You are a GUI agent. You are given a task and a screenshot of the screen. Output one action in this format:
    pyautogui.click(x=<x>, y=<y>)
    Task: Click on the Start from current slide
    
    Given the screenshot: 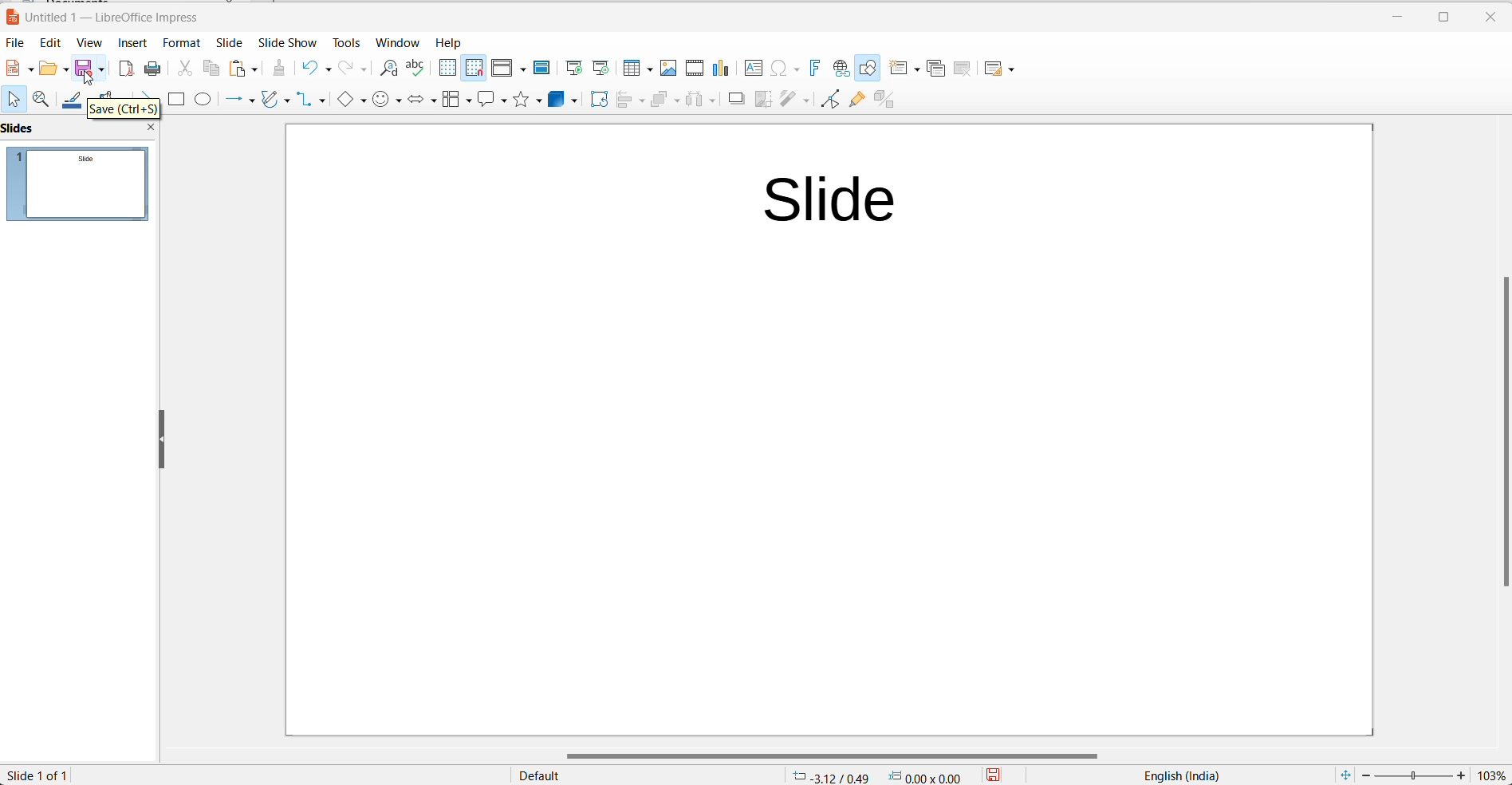 What is the action you would take?
    pyautogui.click(x=601, y=69)
    